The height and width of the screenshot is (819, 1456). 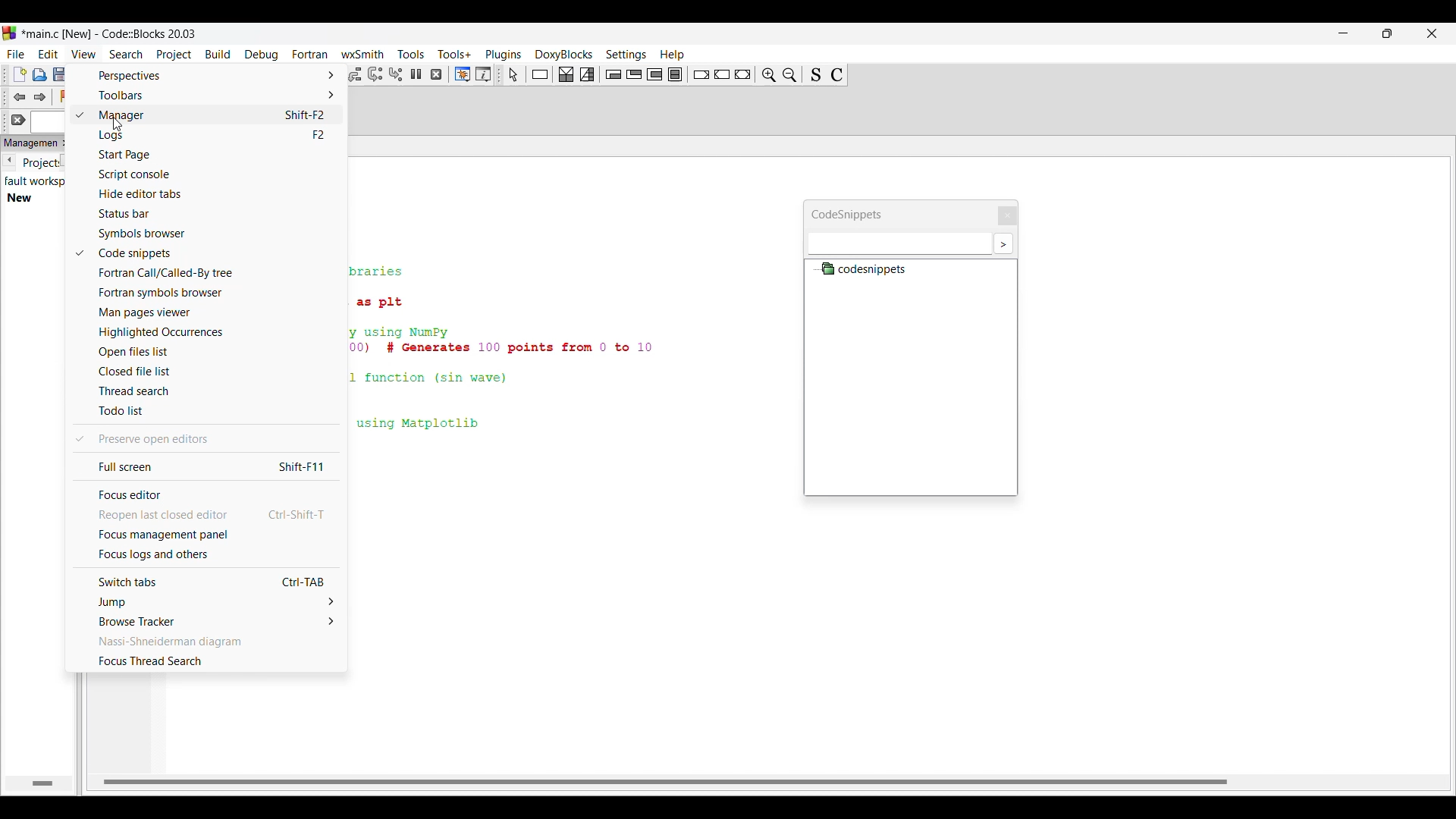 What do you see at coordinates (1004, 212) in the screenshot?
I see `Close` at bounding box center [1004, 212].